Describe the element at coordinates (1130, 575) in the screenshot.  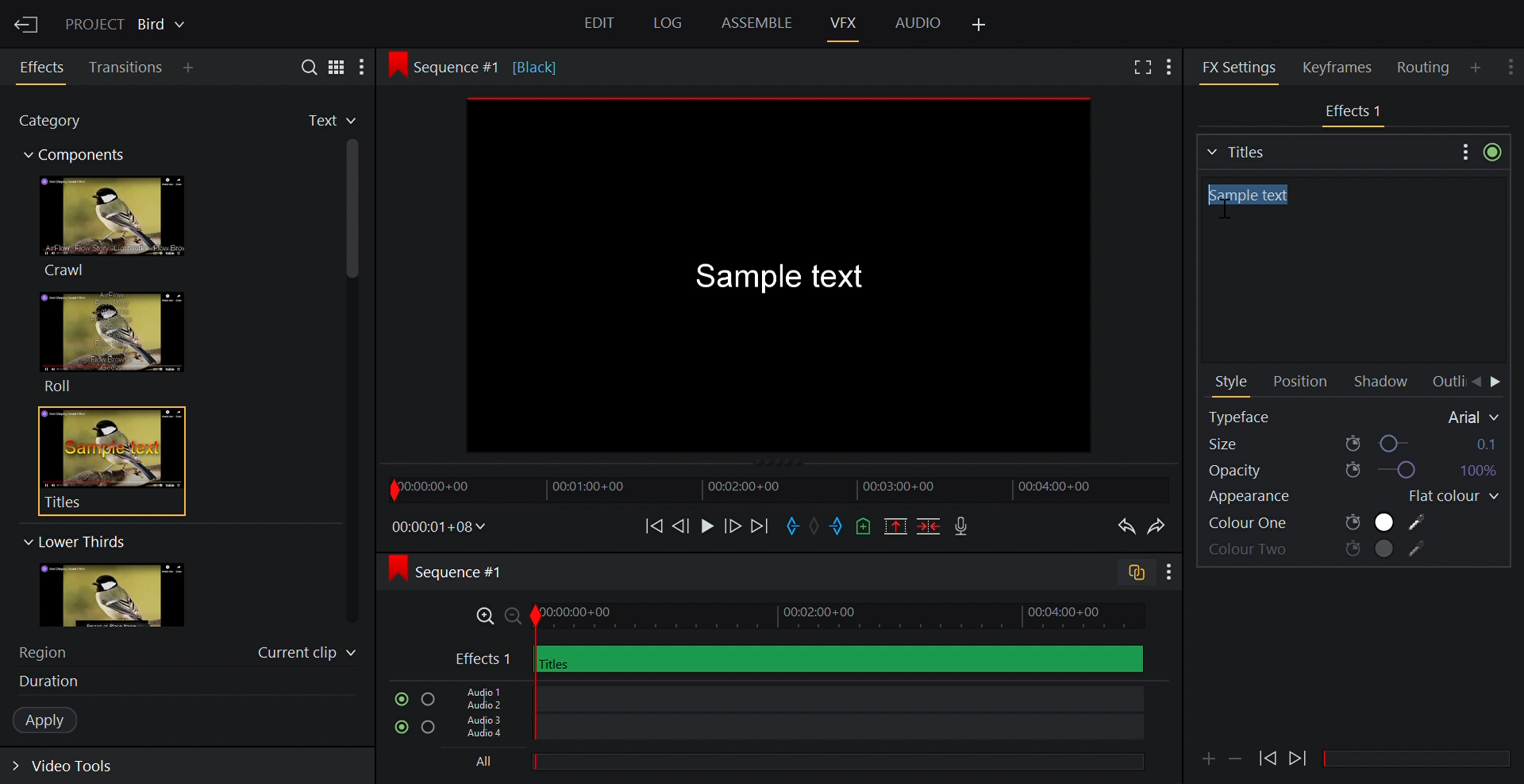
I see `Toggle audio trcak sync` at that location.